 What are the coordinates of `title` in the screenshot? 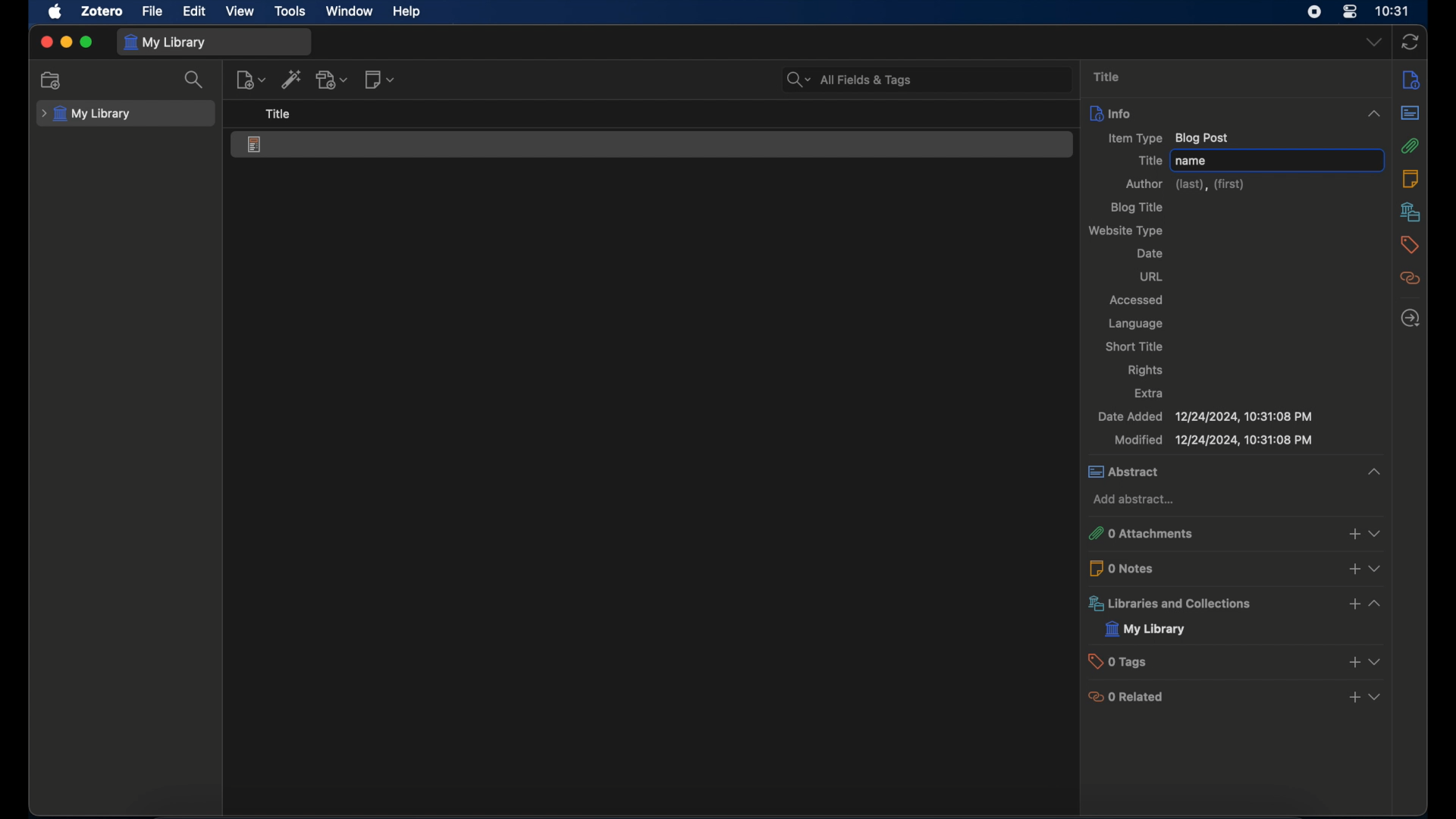 It's located at (1147, 161).